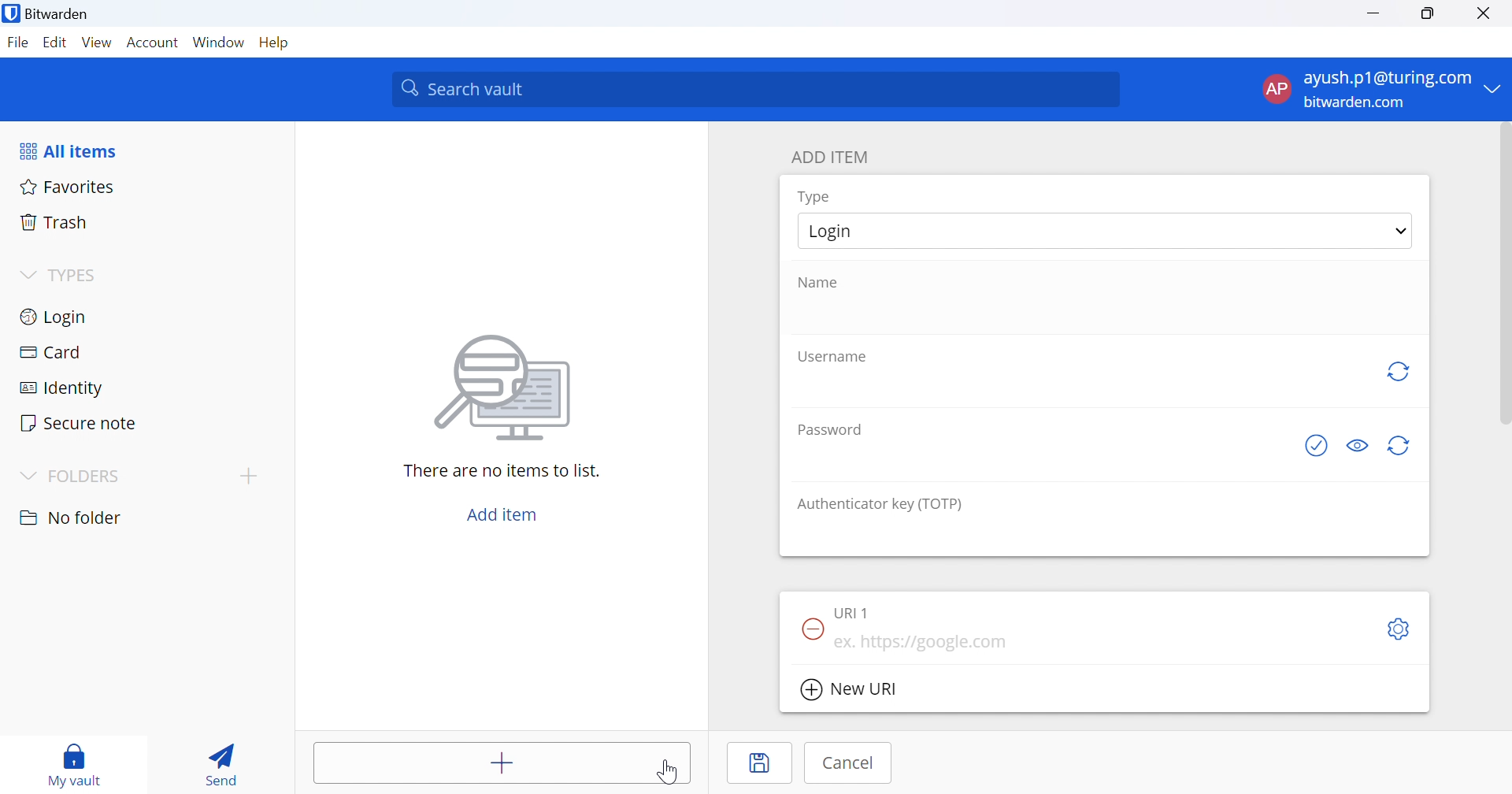 Image resolution: width=1512 pixels, height=794 pixels. Describe the element at coordinates (1275, 88) in the screenshot. I see `AP` at that location.